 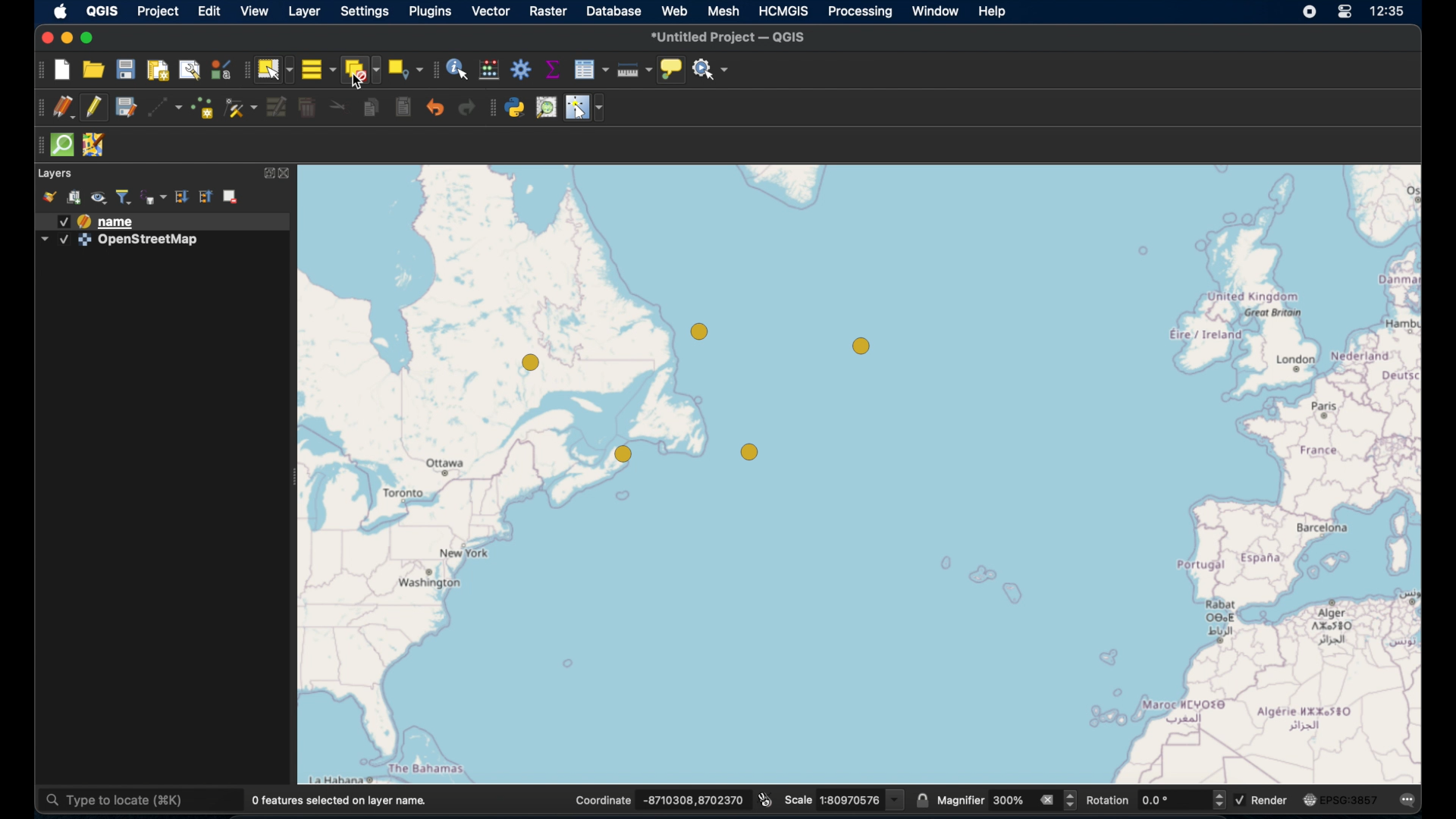 What do you see at coordinates (1072, 801) in the screenshot?
I see `increase or decrease the value of magnifier` at bounding box center [1072, 801].